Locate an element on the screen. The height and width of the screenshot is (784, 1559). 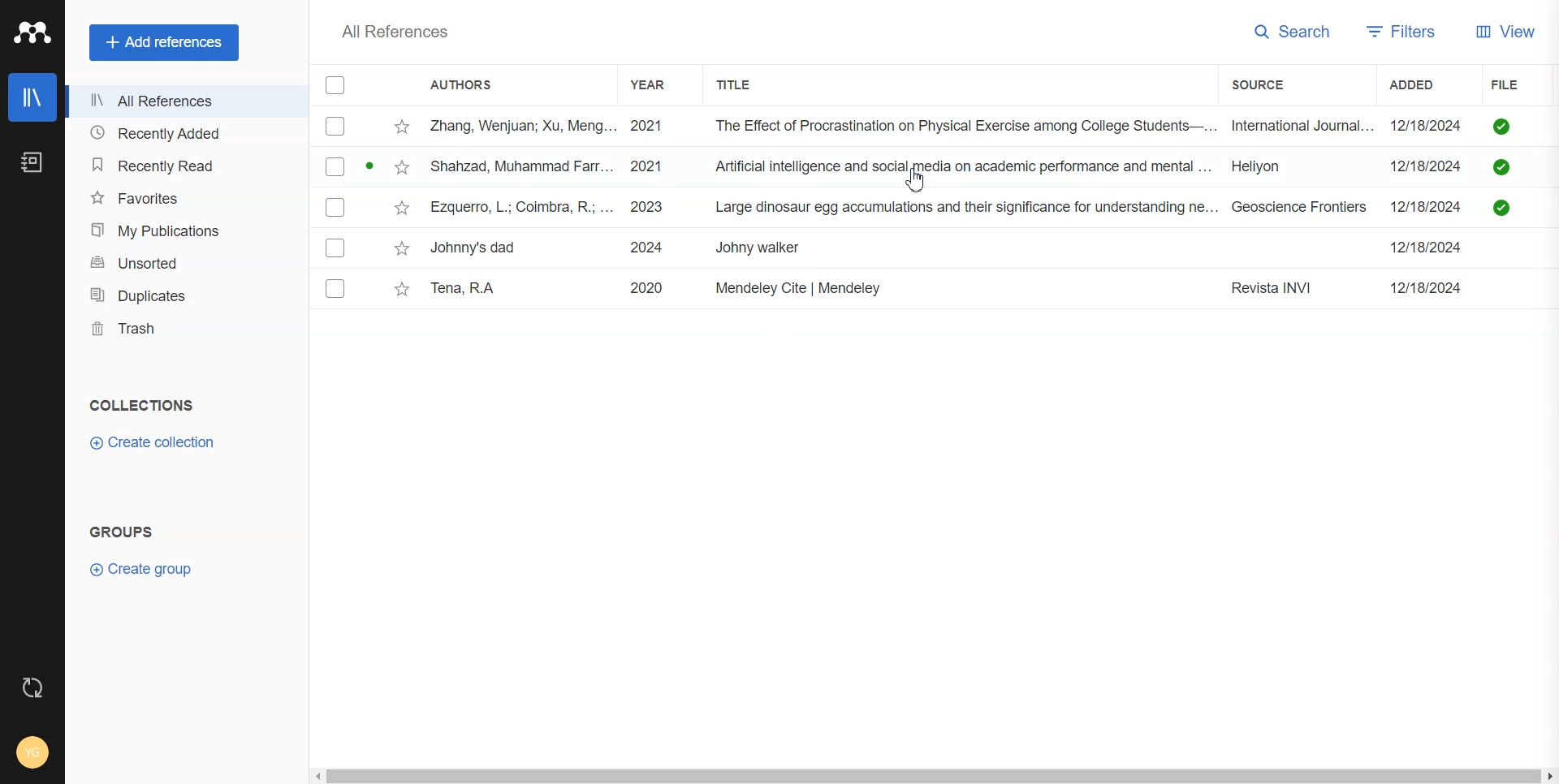
Library is located at coordinates (33, 97).